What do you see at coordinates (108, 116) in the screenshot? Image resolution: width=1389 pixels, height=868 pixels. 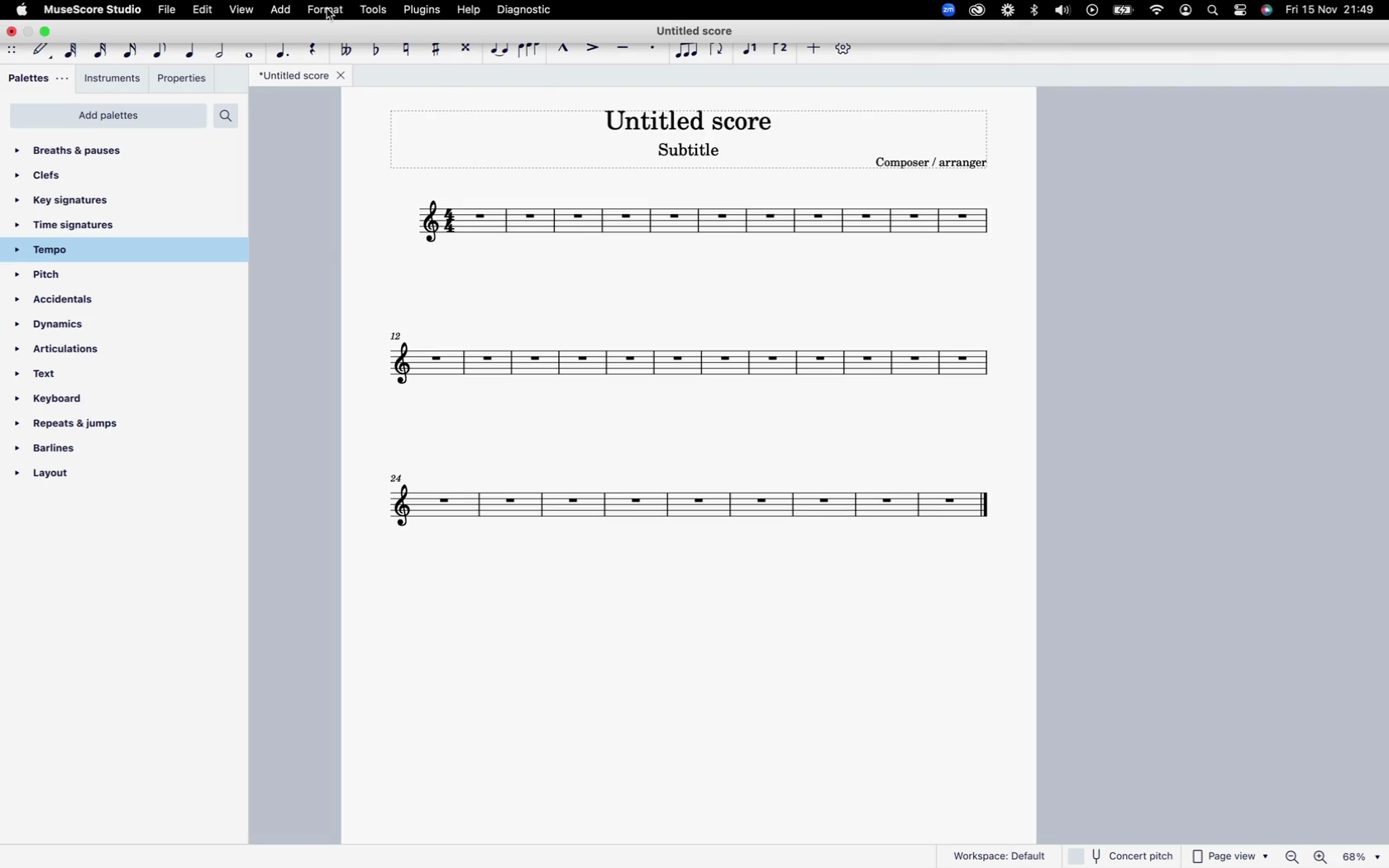 I see `add palettes` at bounding box center [108, 116].